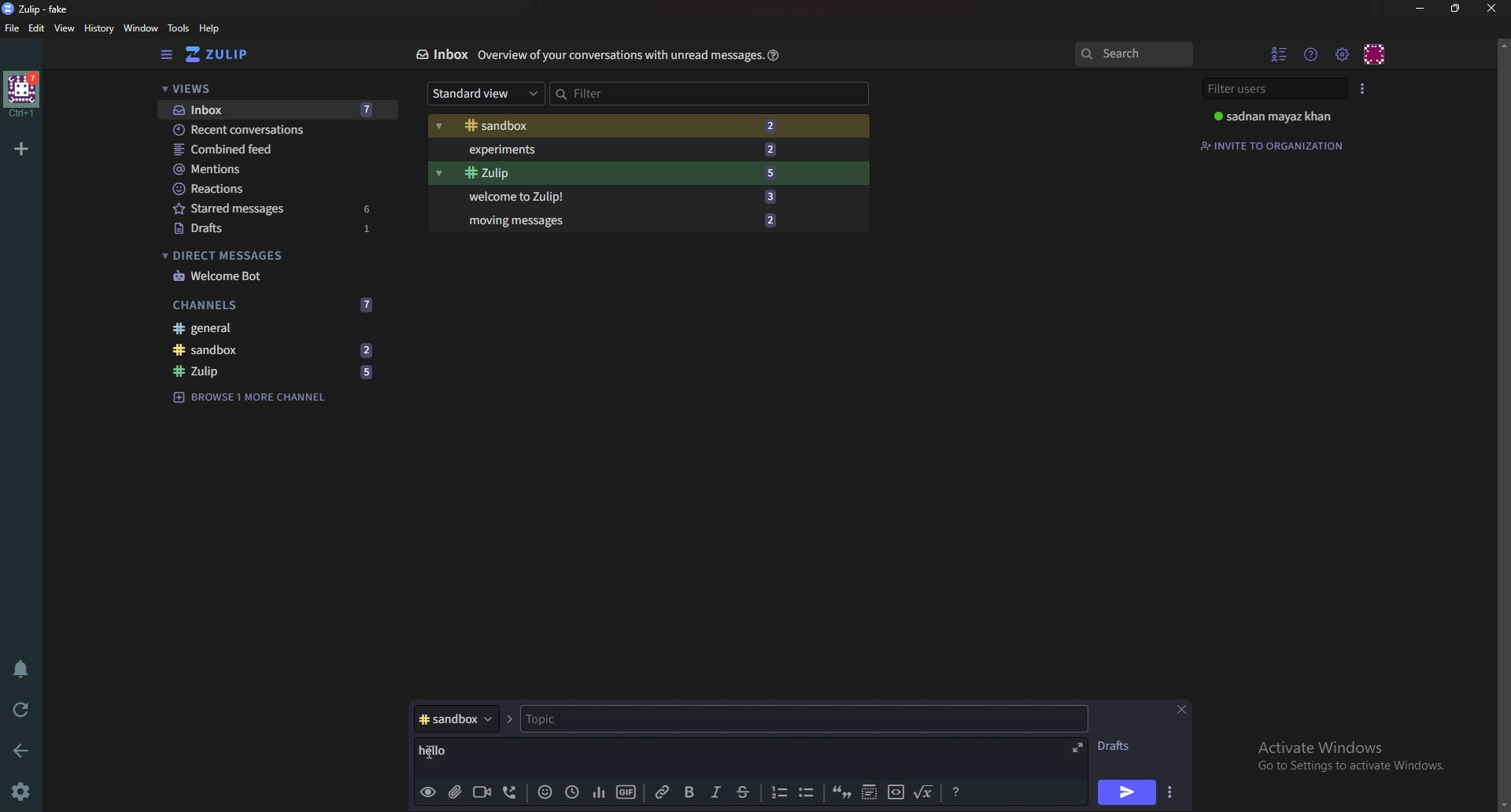 Image resolution: width=1511 pixels, height=812 pixels. Describe the element at coordinates (210, 28) in the screenshot. I see `help` at that location.